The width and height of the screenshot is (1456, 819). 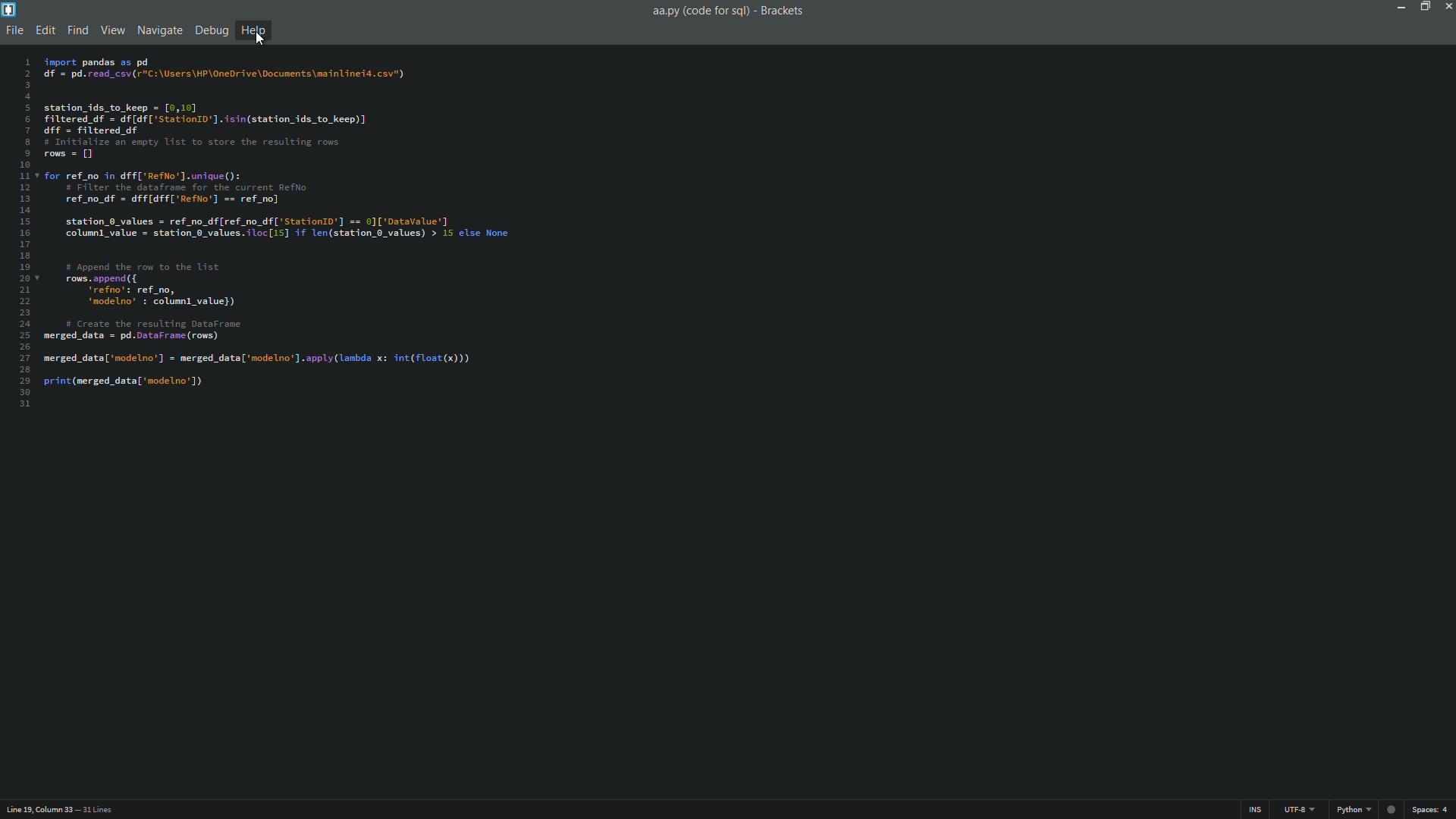 What do you see at coordinates (160, 30) in the screenshot?
I see `navigate menu` at bounding box center [160, 30].